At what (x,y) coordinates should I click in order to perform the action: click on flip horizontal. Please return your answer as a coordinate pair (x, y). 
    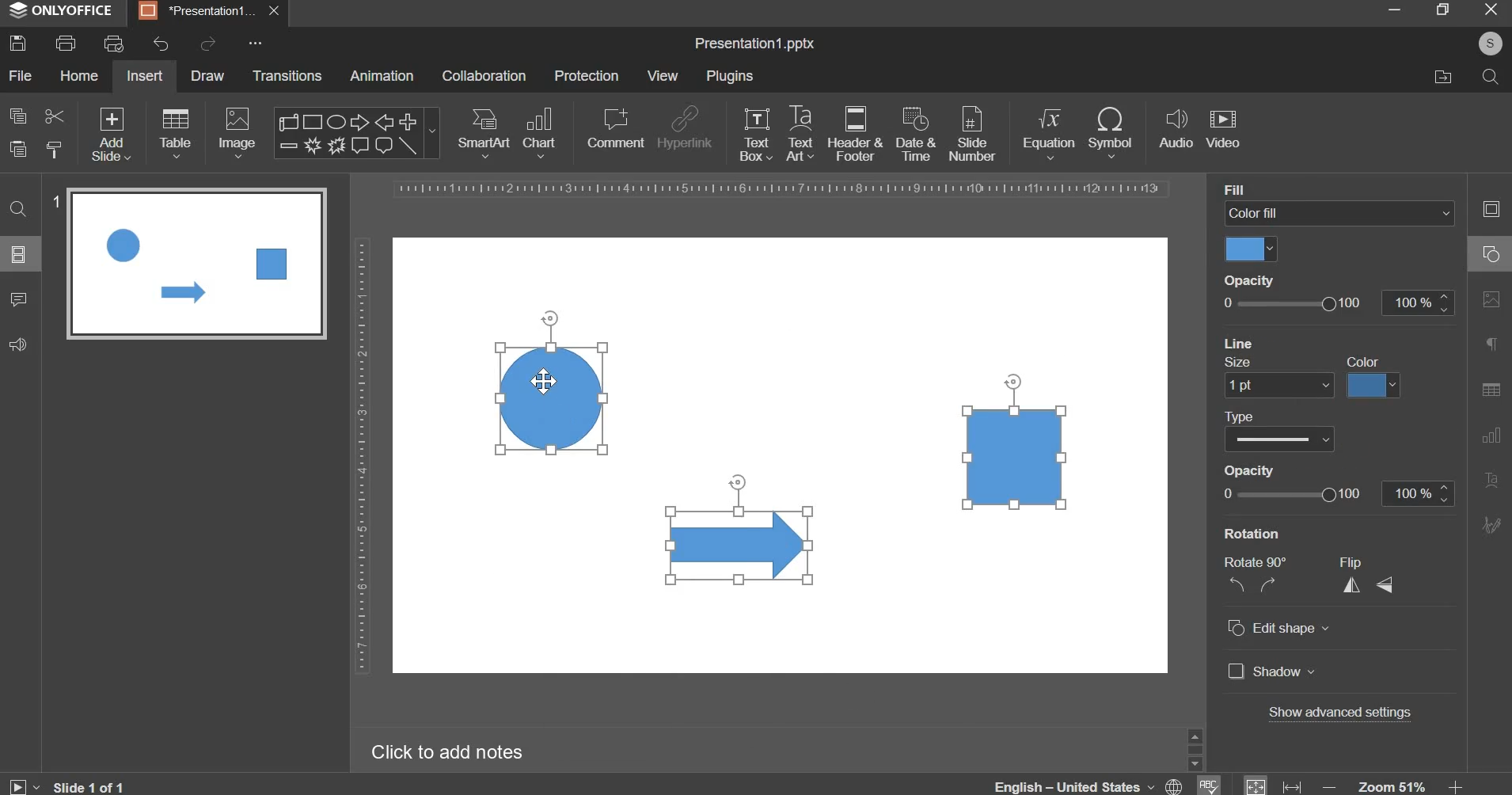
    Looking at the image, I should click on (1357, 584).